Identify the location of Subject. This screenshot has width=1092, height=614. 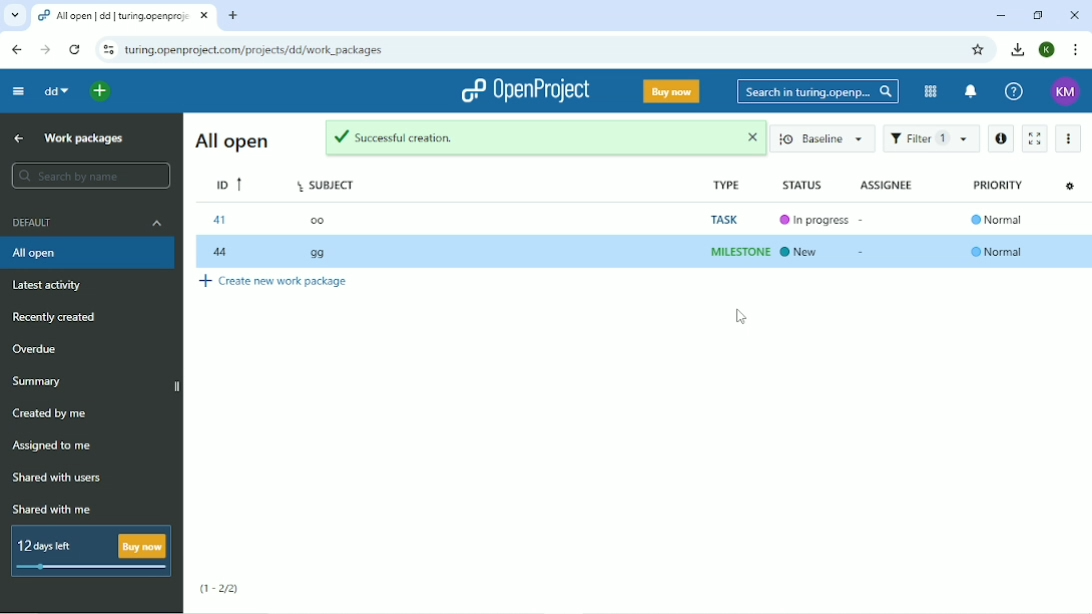
(326, 186).